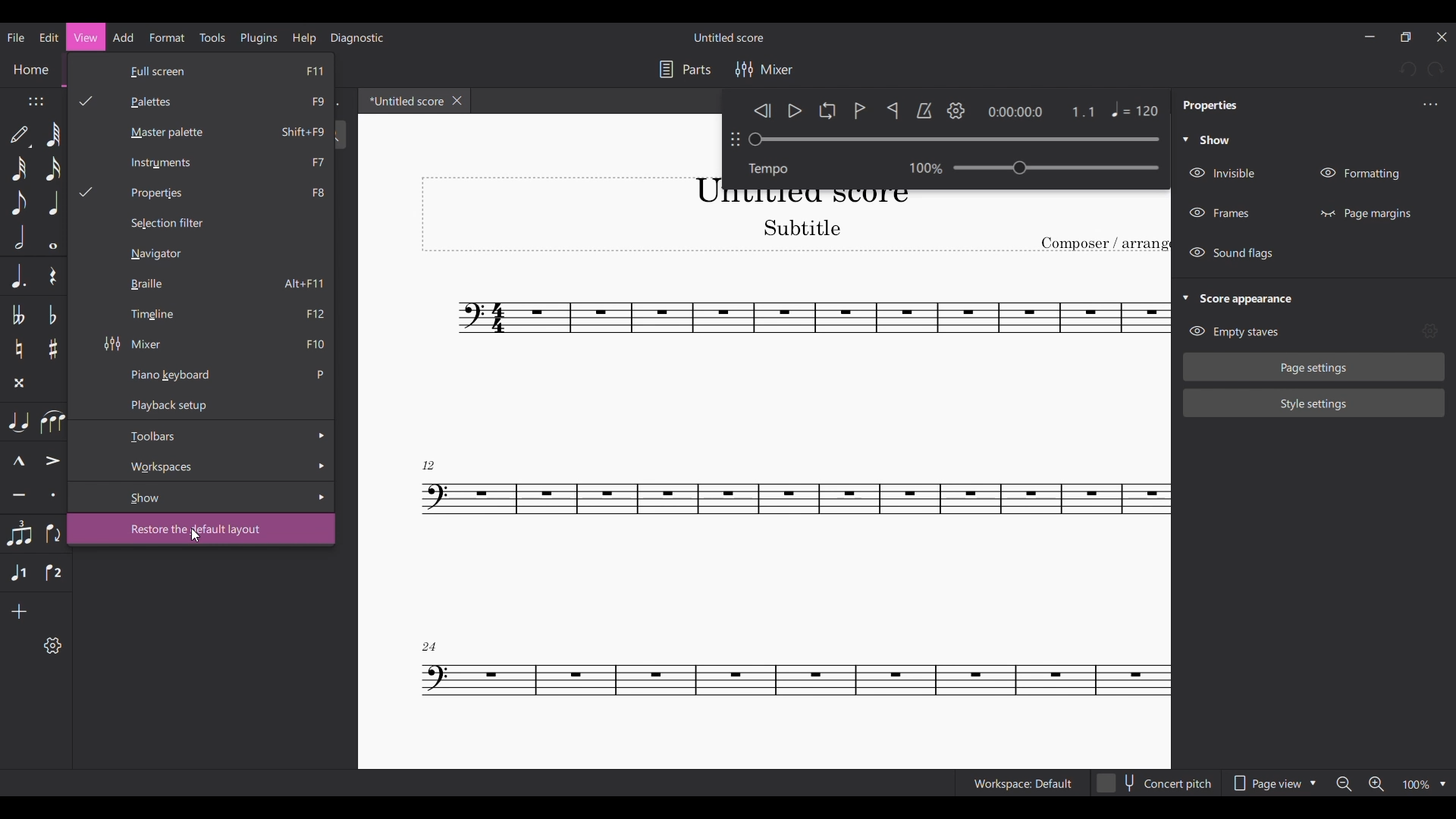 The width and height of the screenshot is (1456, 819). I want to click on View, so click(86, 36).